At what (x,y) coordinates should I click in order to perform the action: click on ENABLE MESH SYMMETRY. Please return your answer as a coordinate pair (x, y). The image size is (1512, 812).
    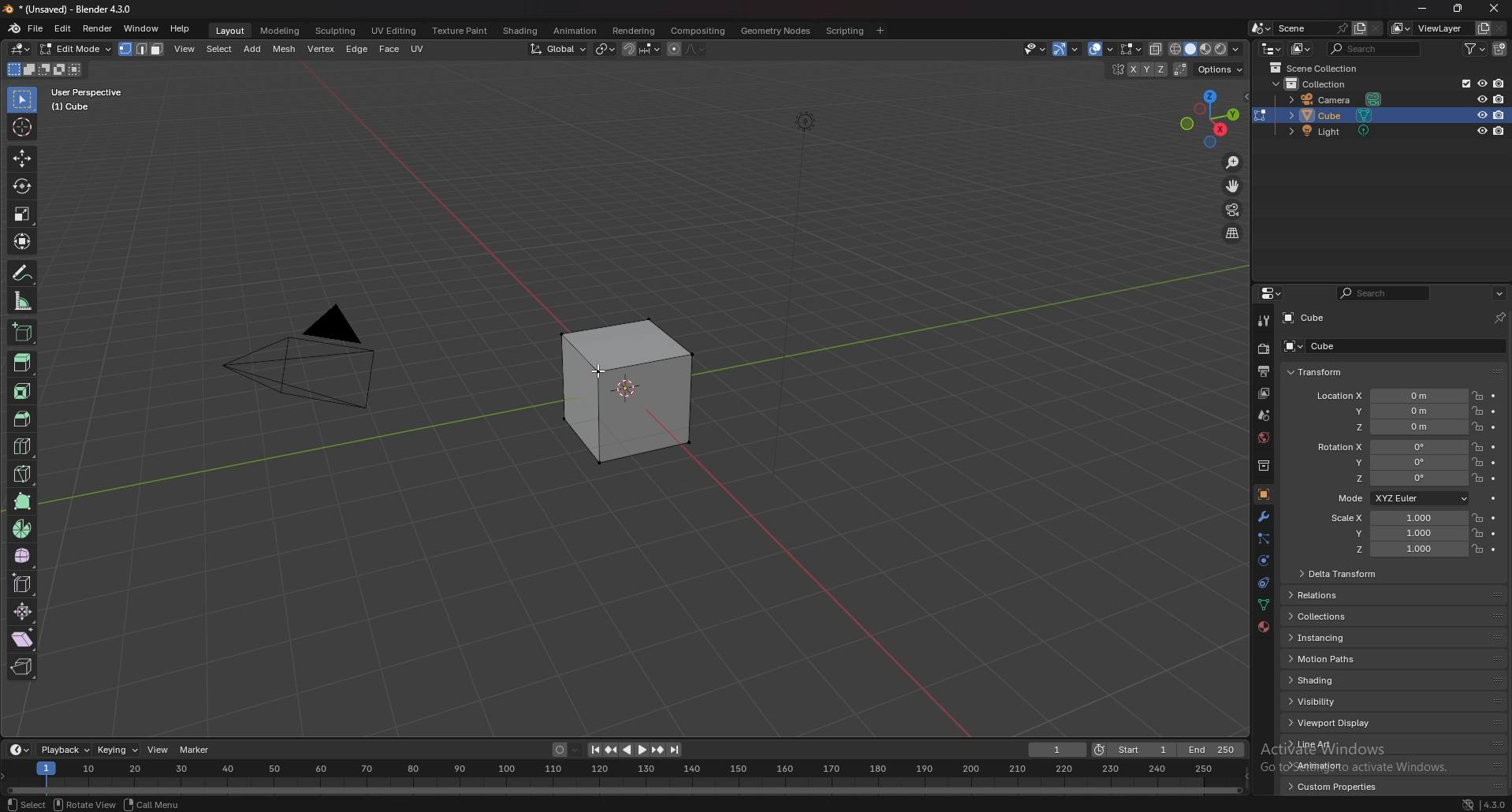
    Looking at the image, I should click on (1138, 70).